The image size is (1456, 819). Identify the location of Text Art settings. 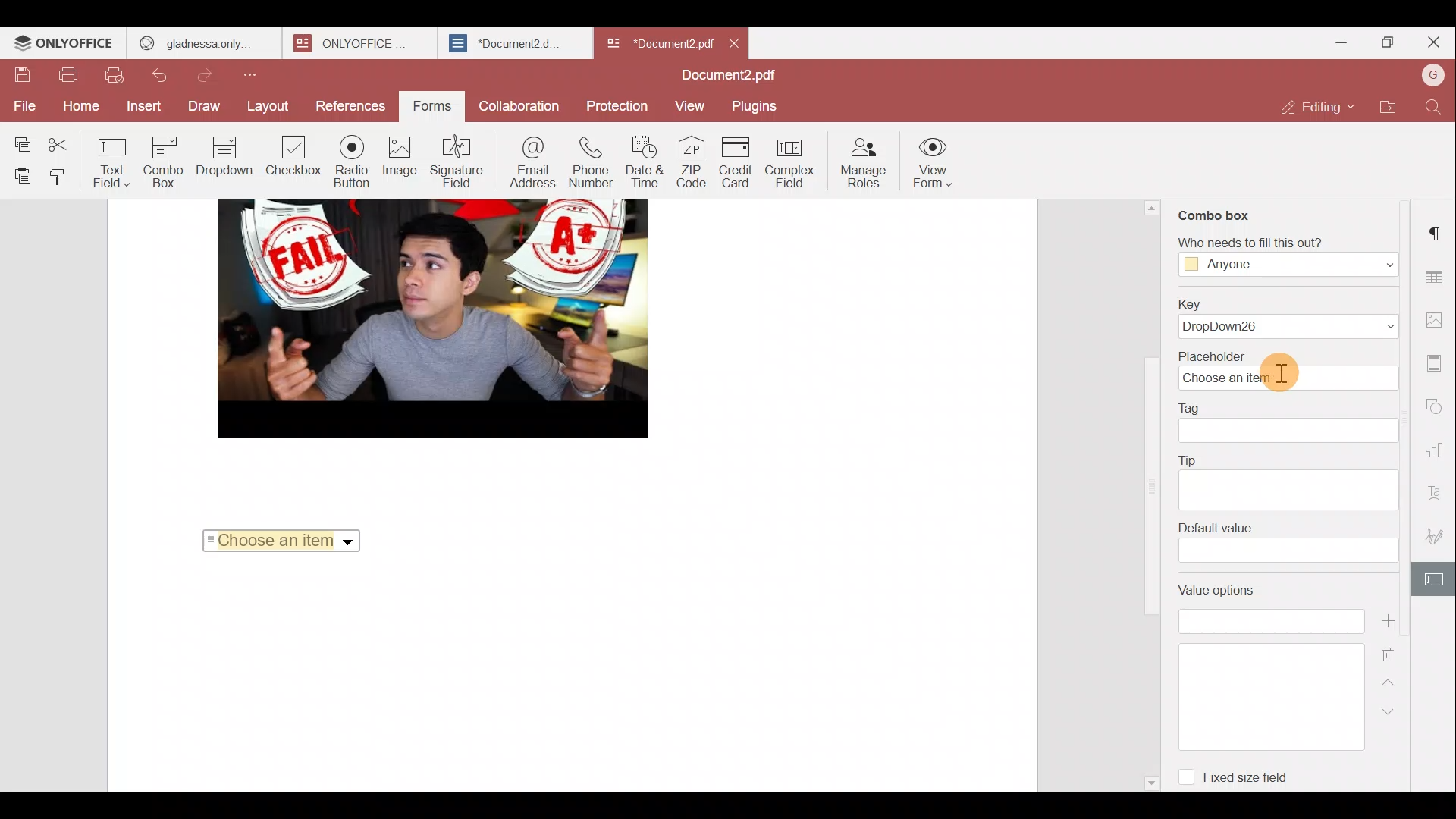
(1438, 491).